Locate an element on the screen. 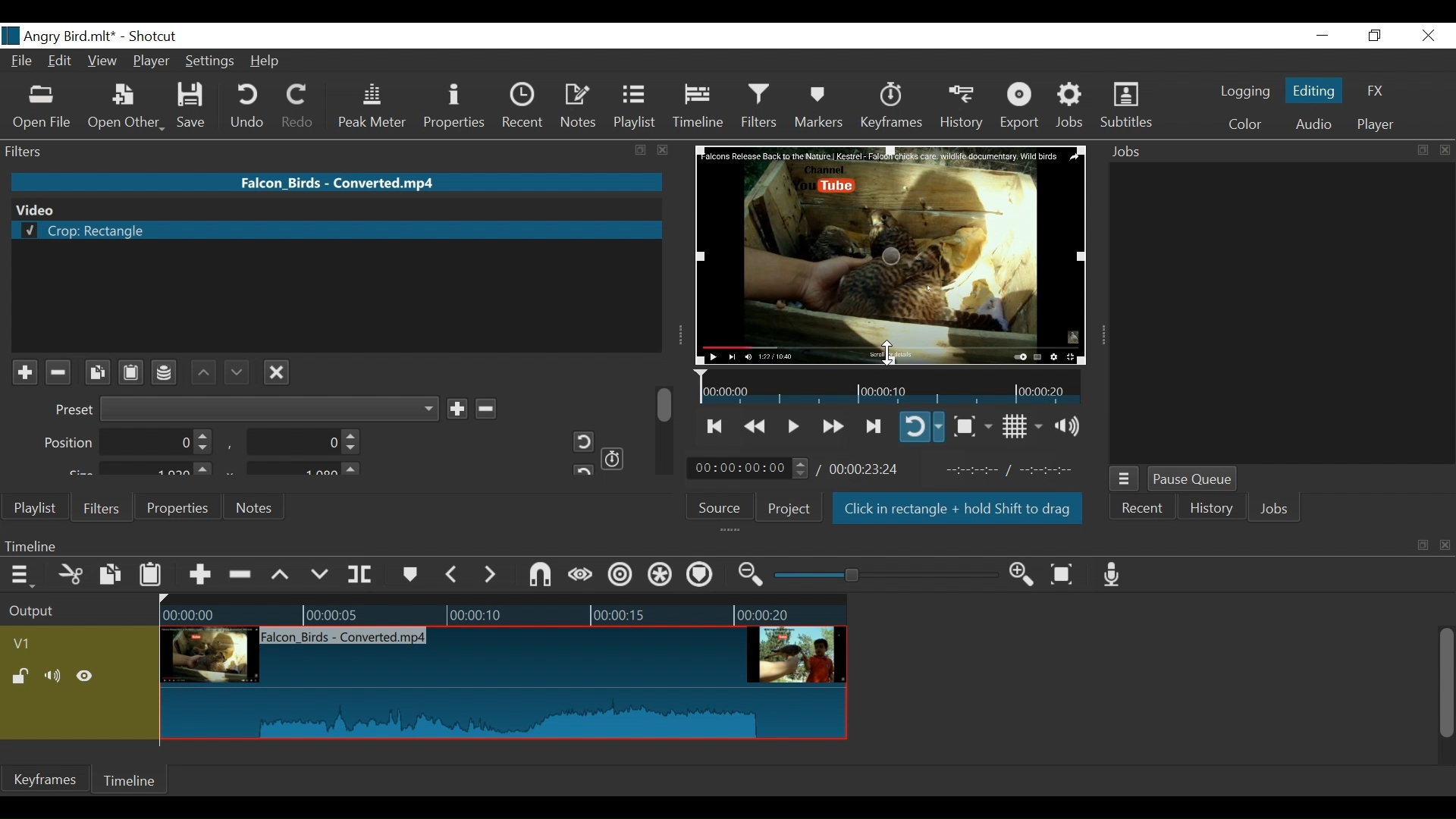 The image size is (1456, 819). Toggle play or pause (Space) is located at coordinates (791, 428).